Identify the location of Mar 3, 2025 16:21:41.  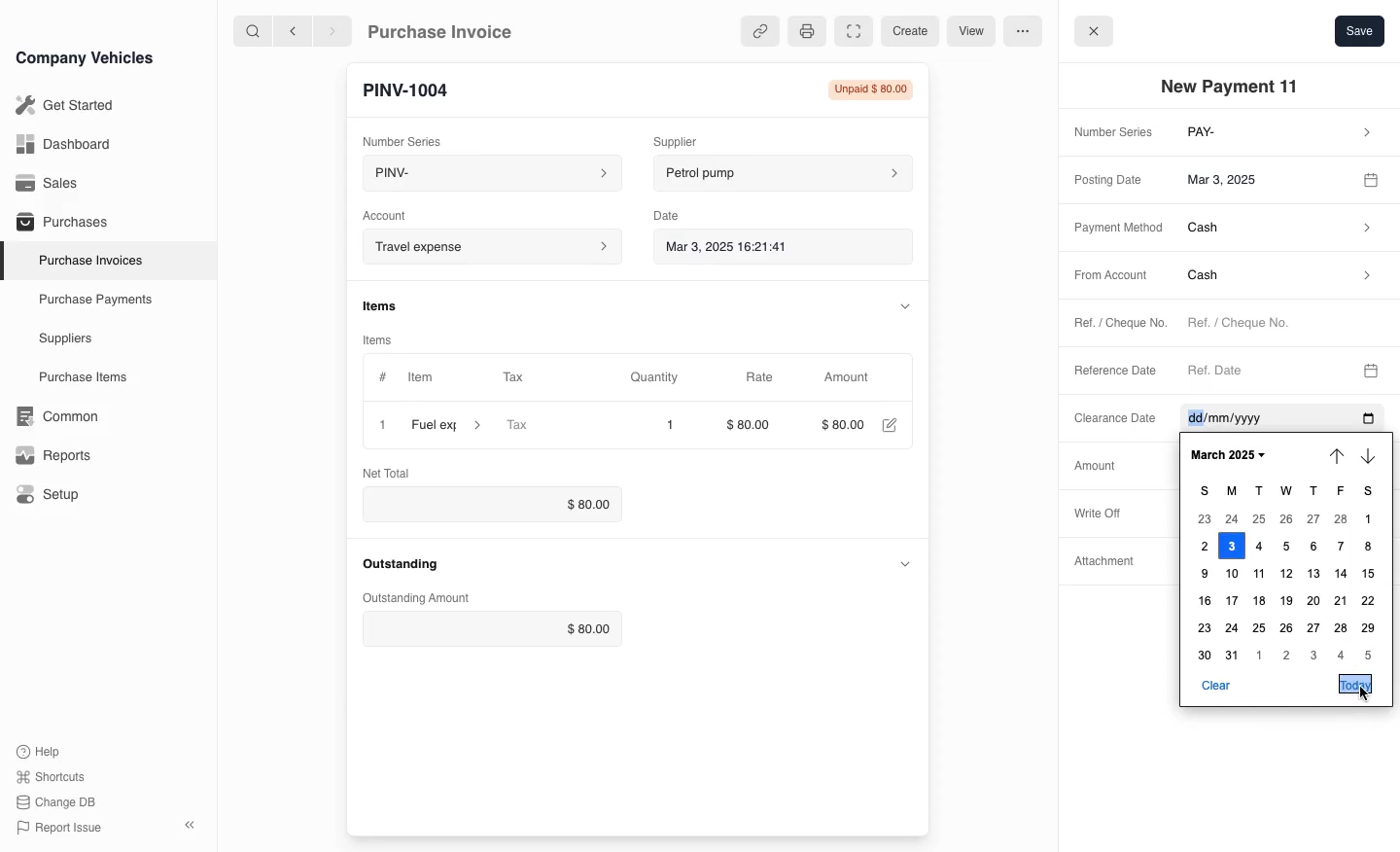
(766, 245).